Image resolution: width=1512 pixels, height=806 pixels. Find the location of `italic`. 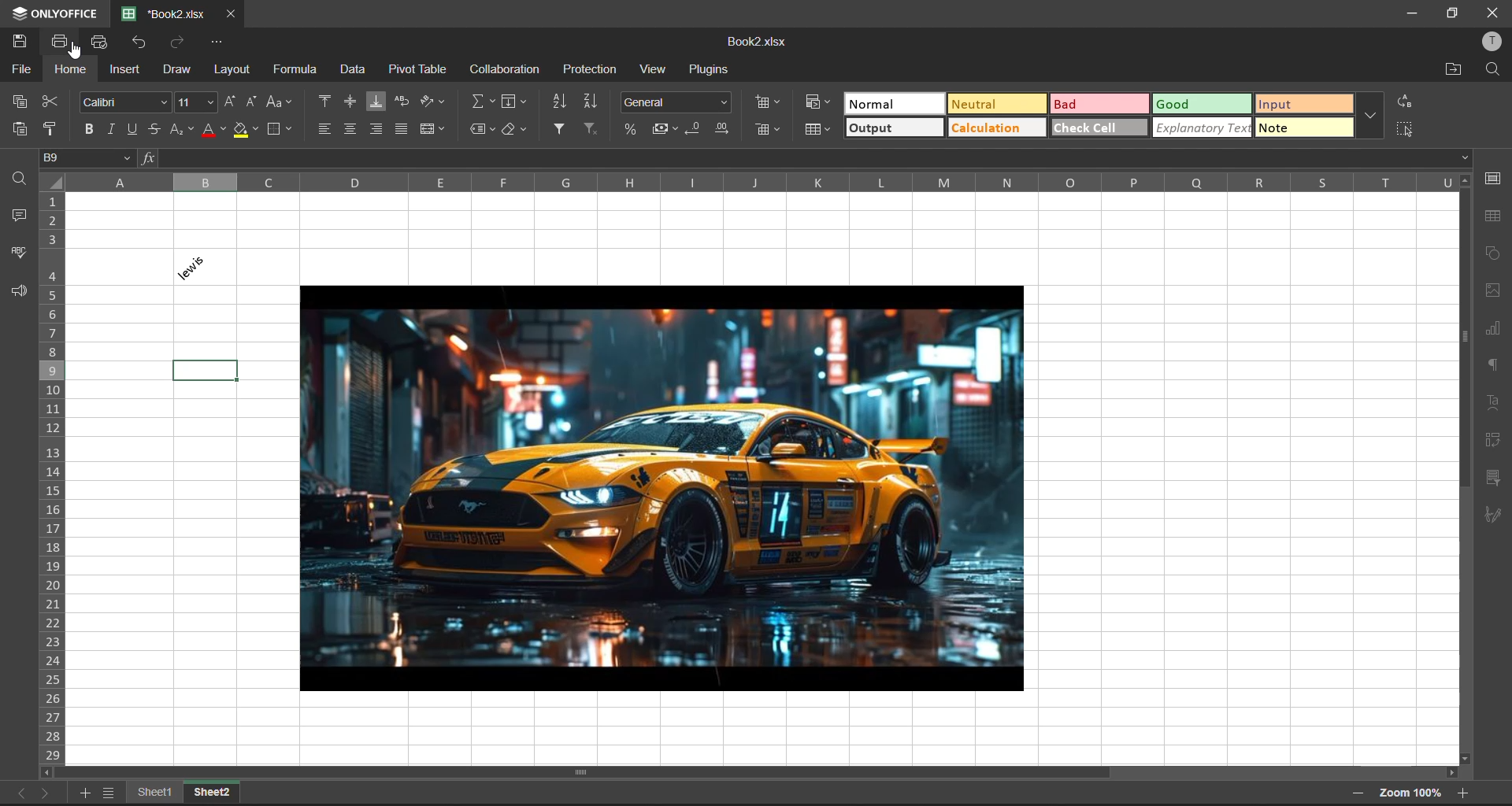

italic is located at coordinates (111, 128).